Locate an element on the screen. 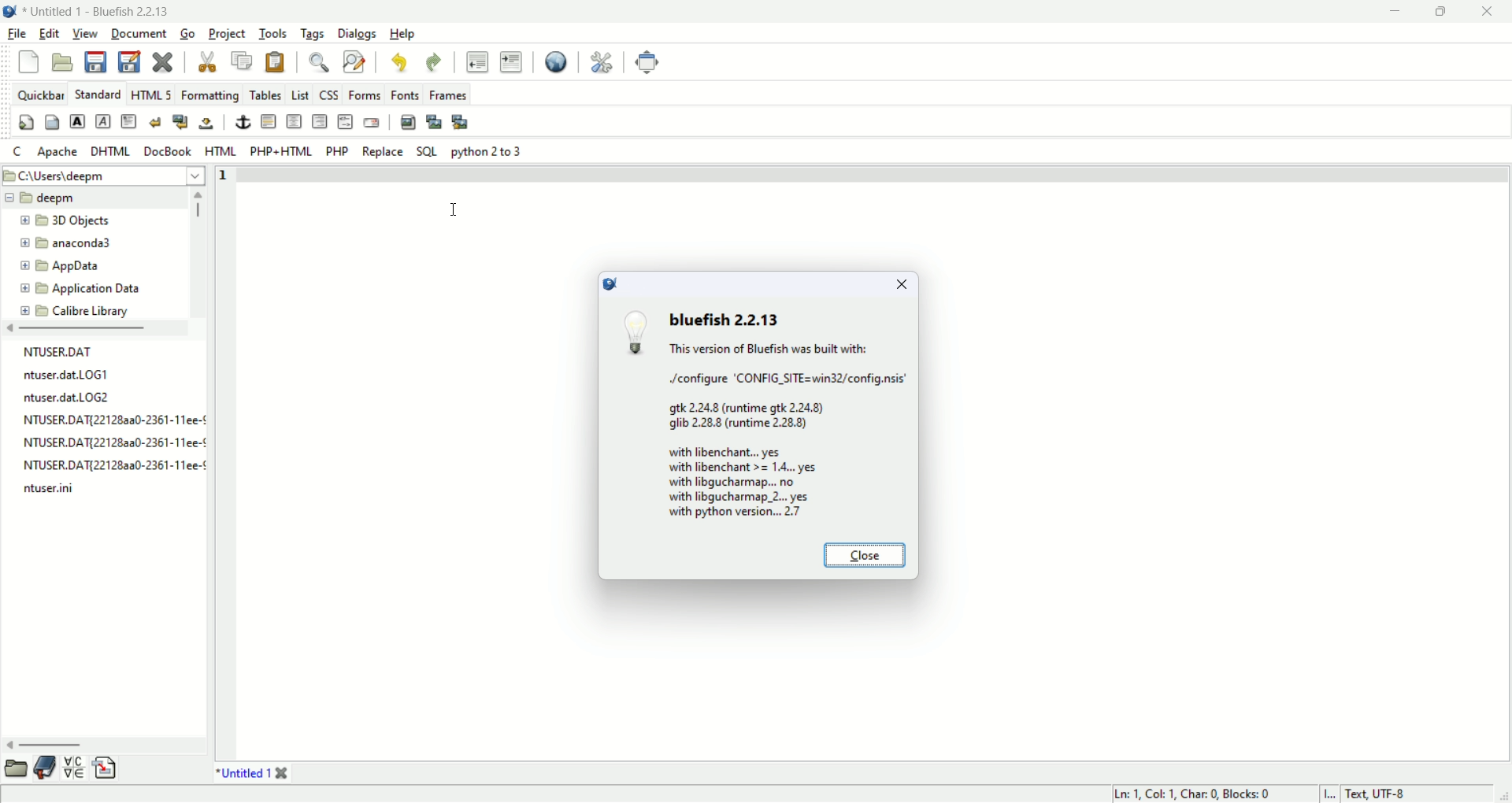 This screenshot has height=803, width=1512. PHP is located at coordinates (338, 154).